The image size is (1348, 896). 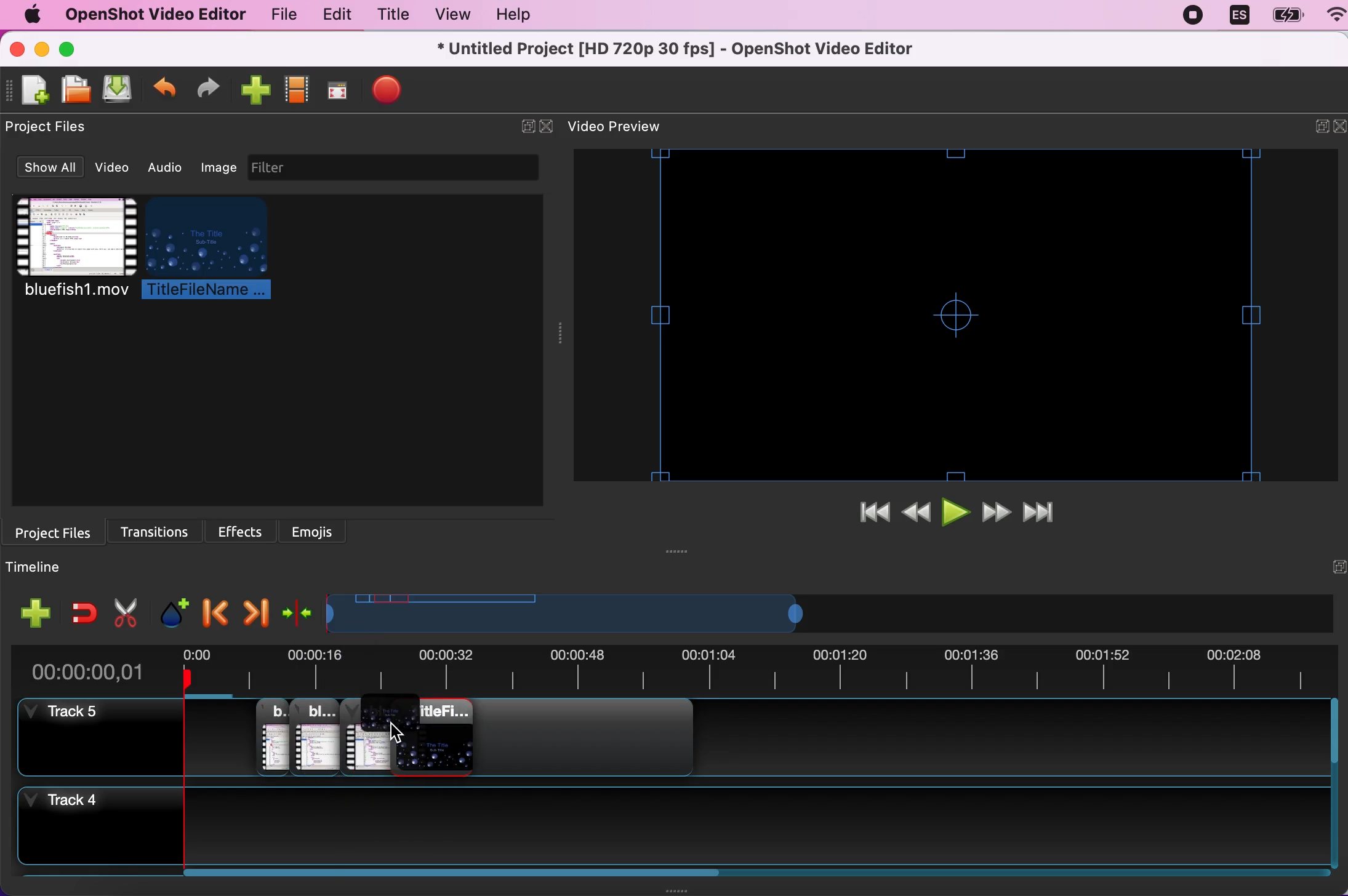 I want to click on track 4, so click(x=91, y=828).